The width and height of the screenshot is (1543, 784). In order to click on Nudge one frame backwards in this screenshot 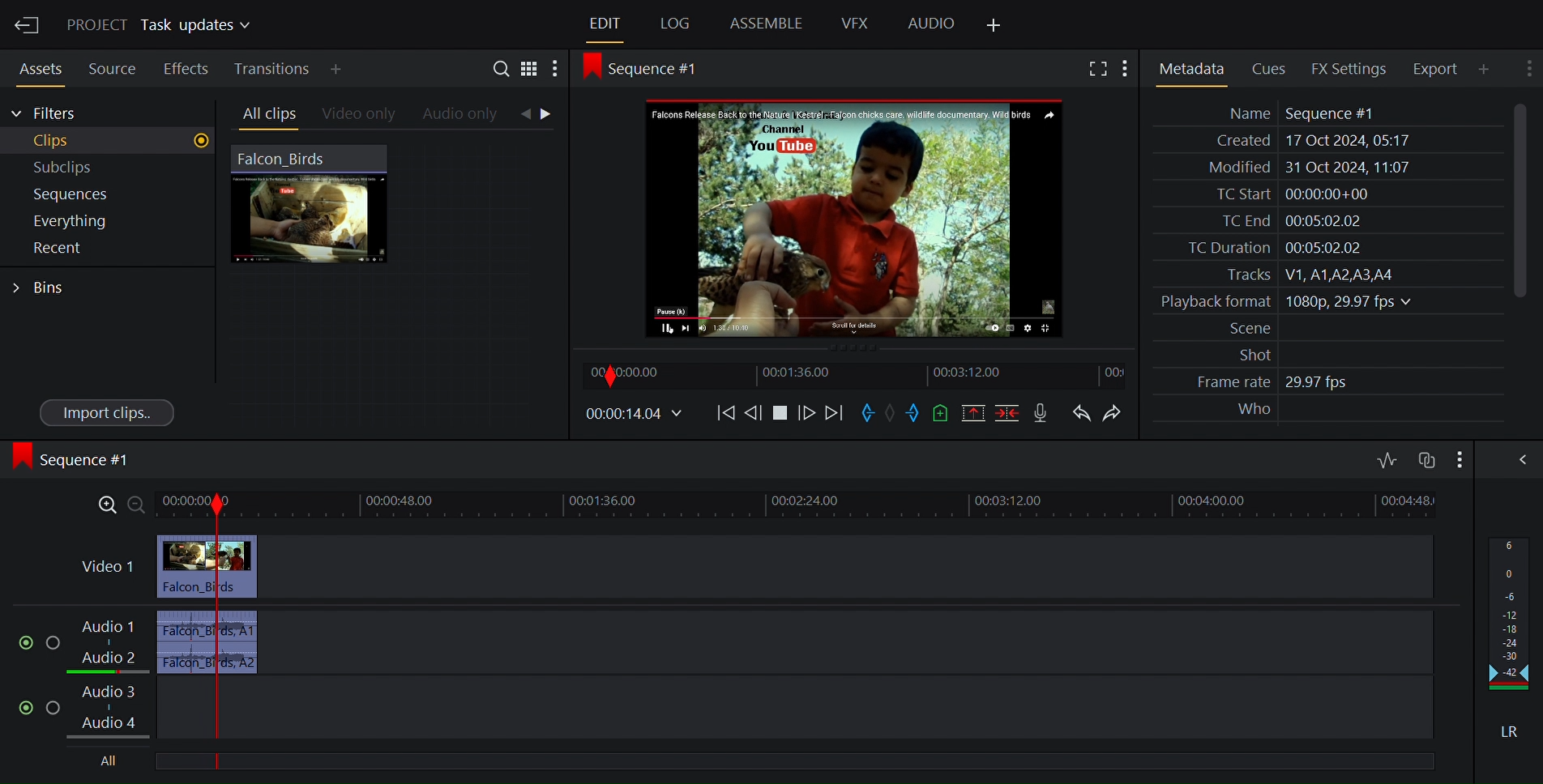, I will do `click(754, 415)`.